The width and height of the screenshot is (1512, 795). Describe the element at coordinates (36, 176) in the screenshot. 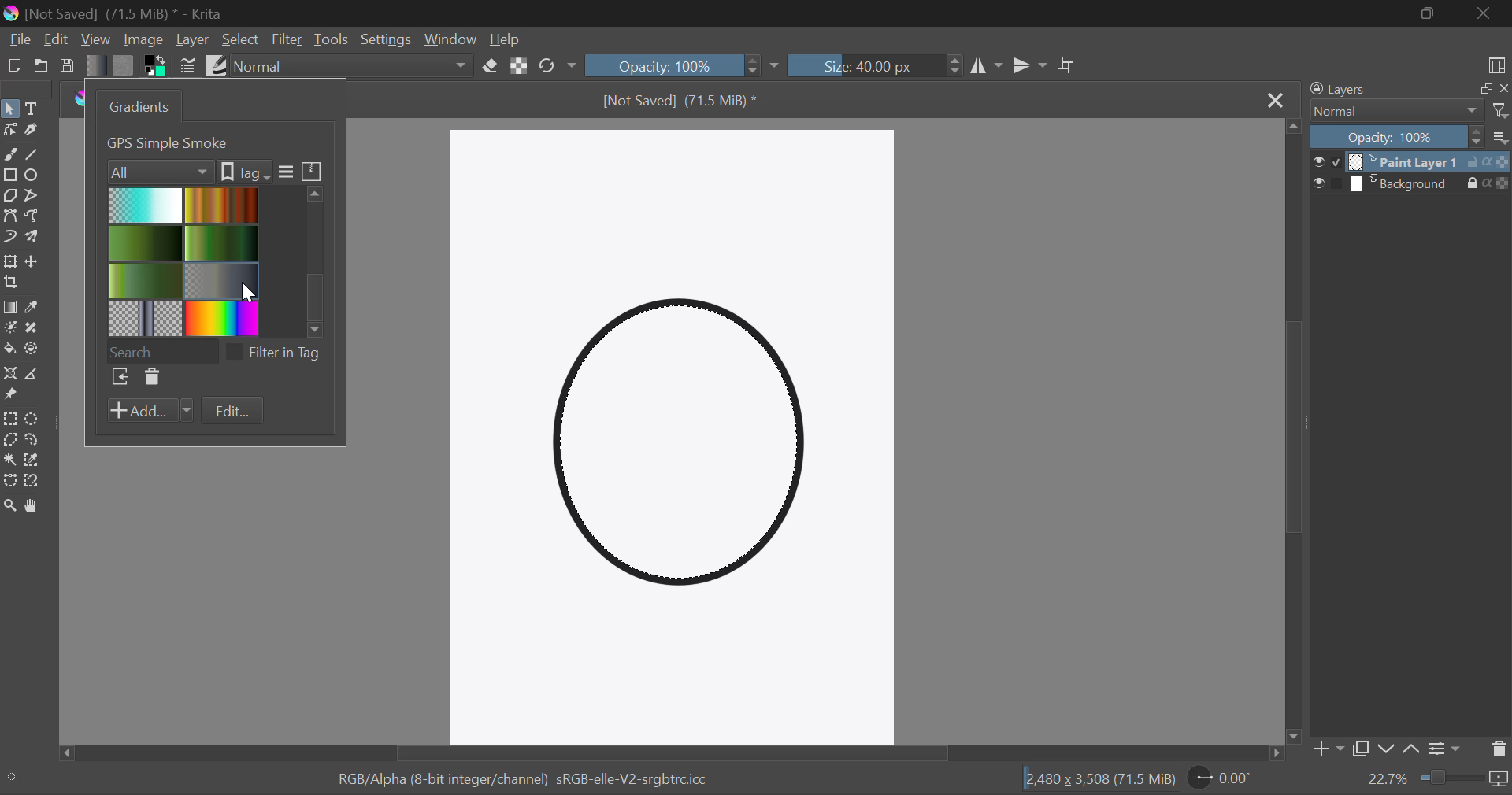

I see `Elipses` at that location.